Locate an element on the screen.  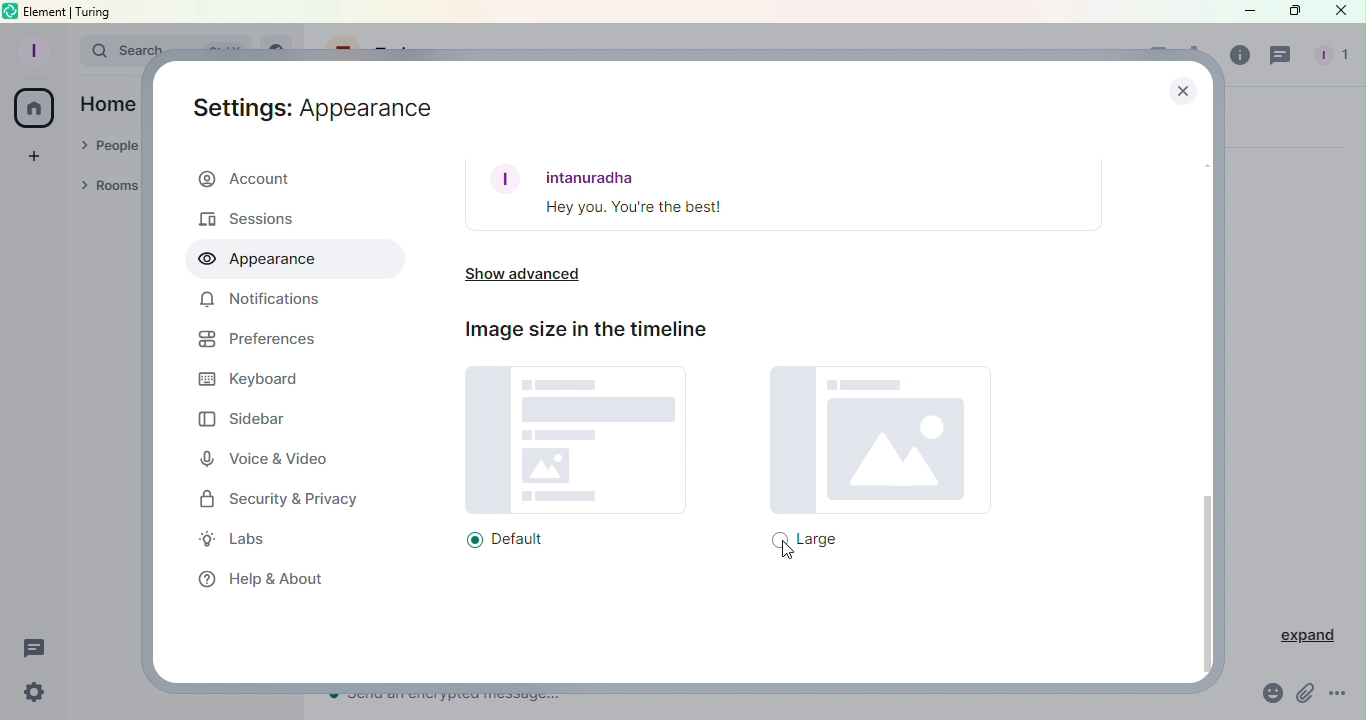
Settings: Appearance is located at coordinates (314, 104).